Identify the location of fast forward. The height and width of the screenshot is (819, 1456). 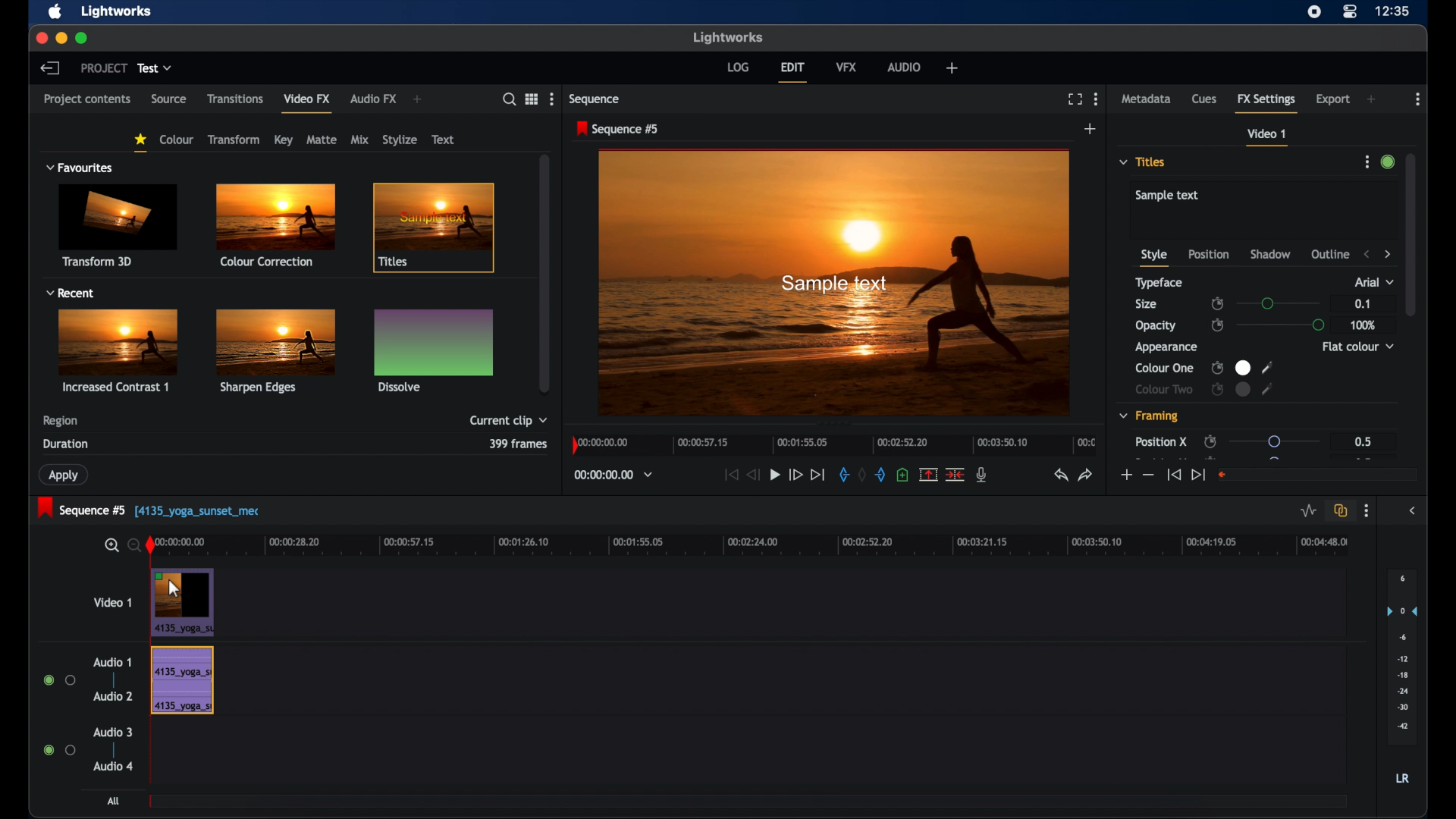
(795, 474).